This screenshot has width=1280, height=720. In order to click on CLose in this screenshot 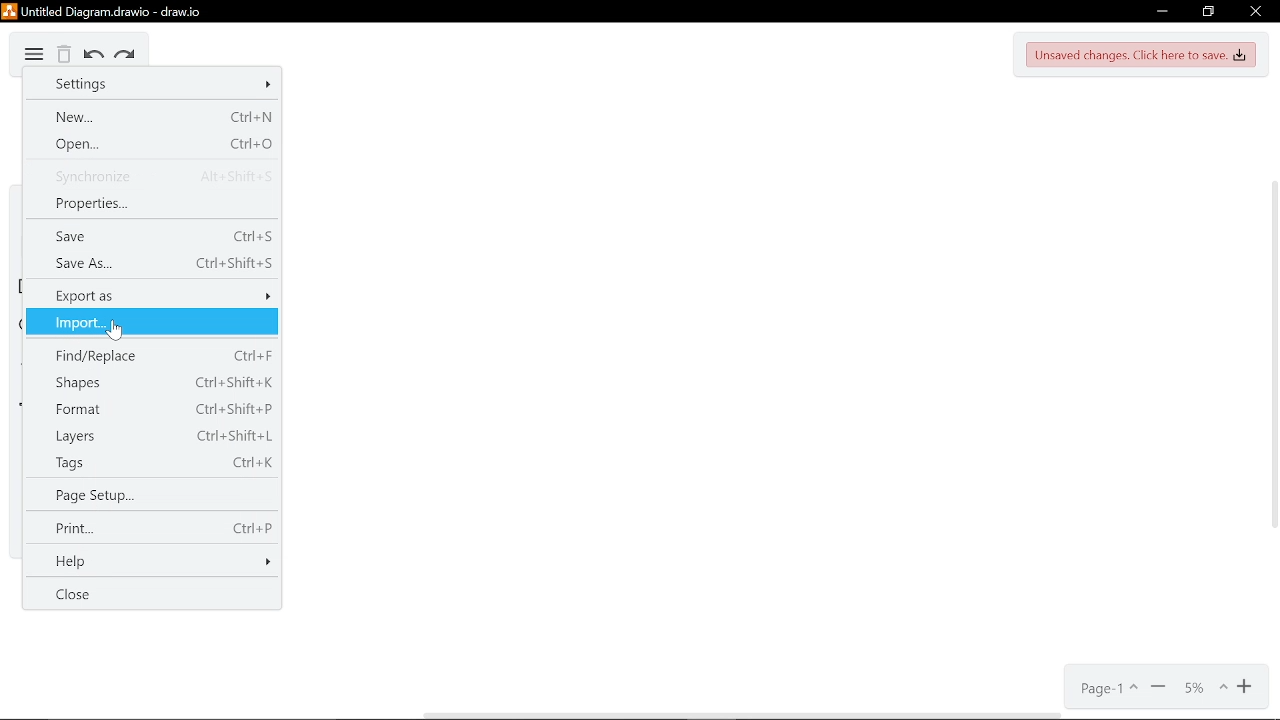, I will do `click(1255, 11)`.